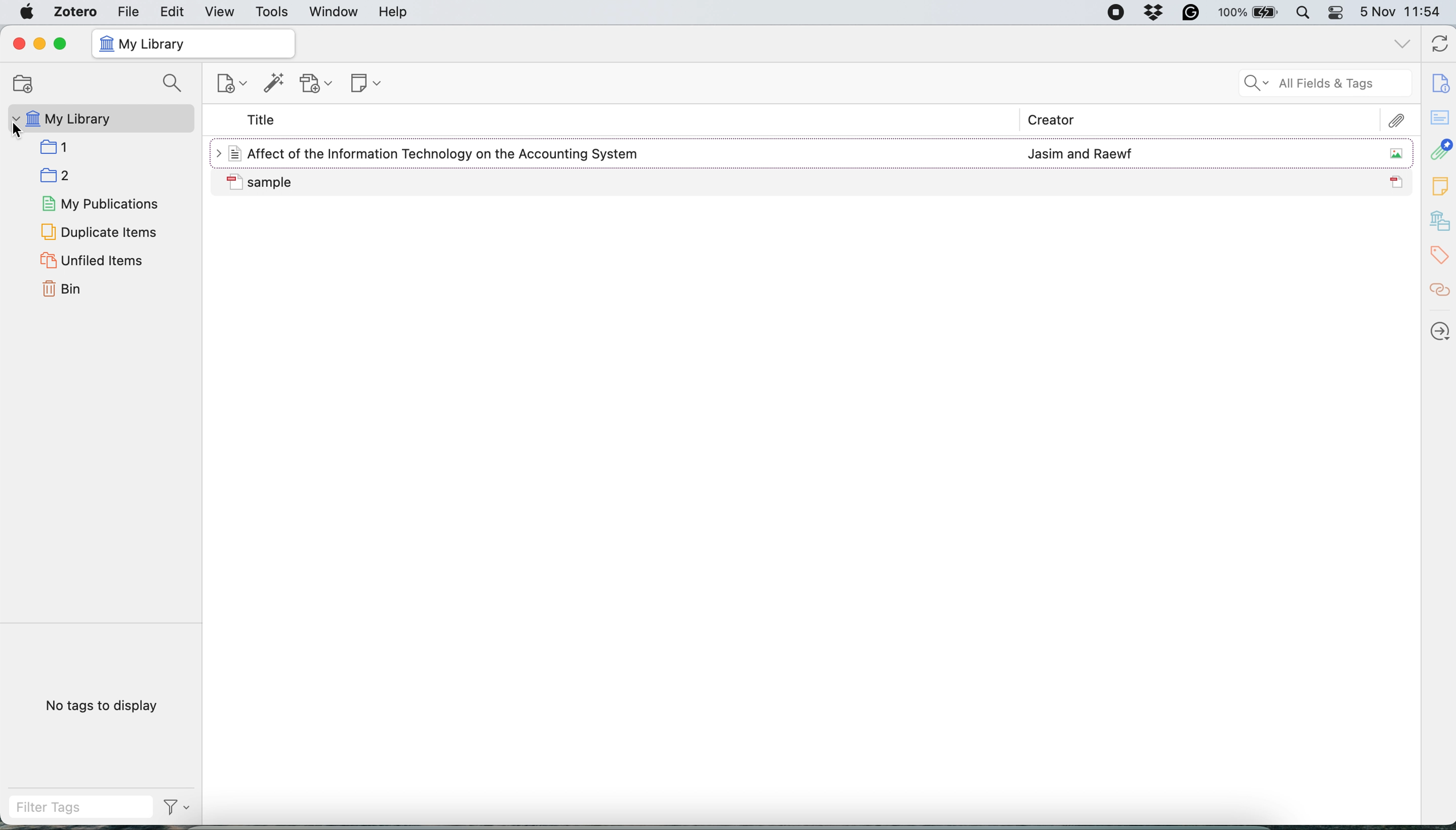  What do you see at coordinates (170, 83) in the screenshot?
I see `search` at bounding box center [170, 83].